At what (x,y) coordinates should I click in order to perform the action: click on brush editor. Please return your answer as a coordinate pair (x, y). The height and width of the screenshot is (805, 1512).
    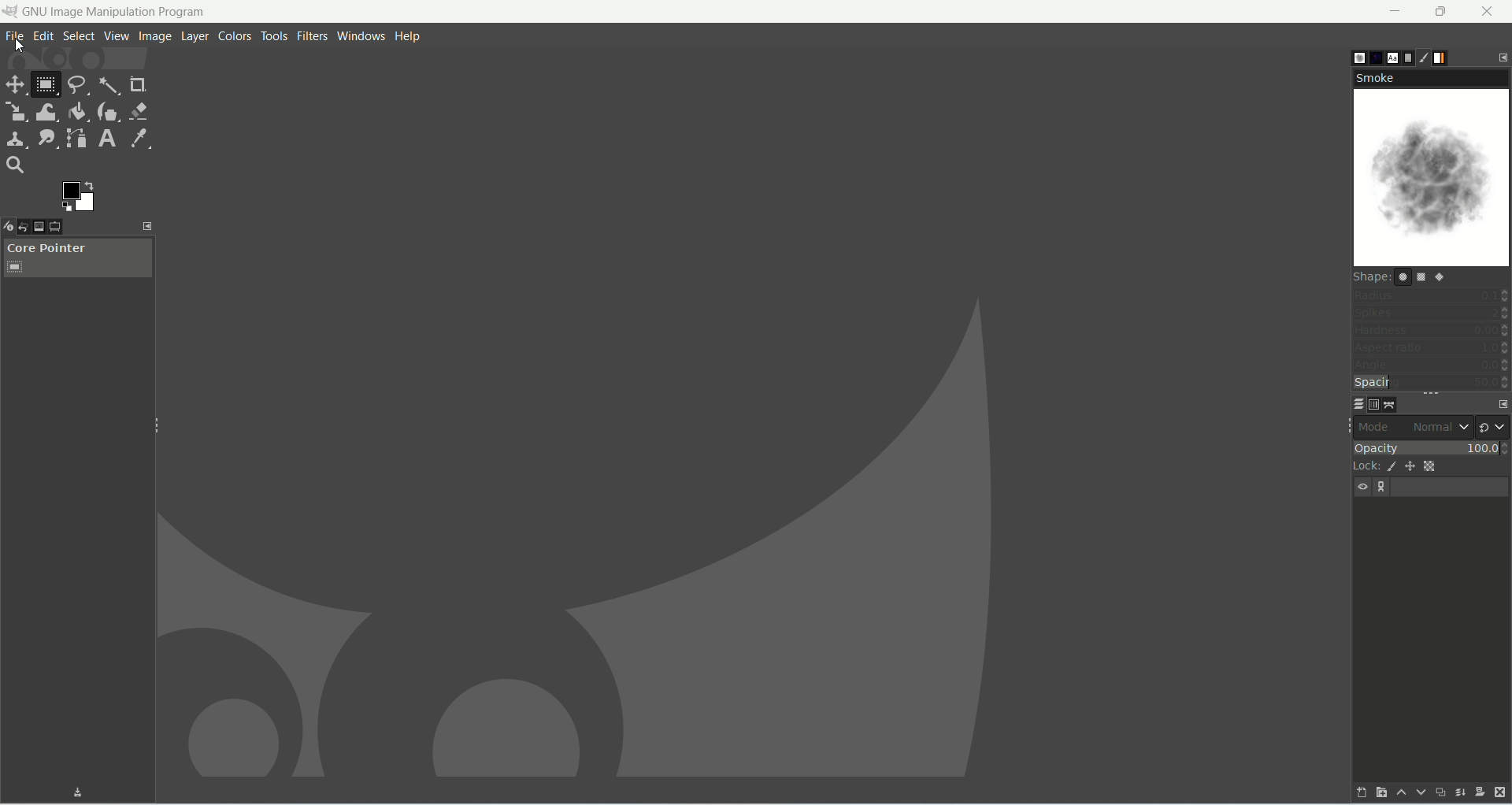
    Looking at the image, I should click on (1425, 56).